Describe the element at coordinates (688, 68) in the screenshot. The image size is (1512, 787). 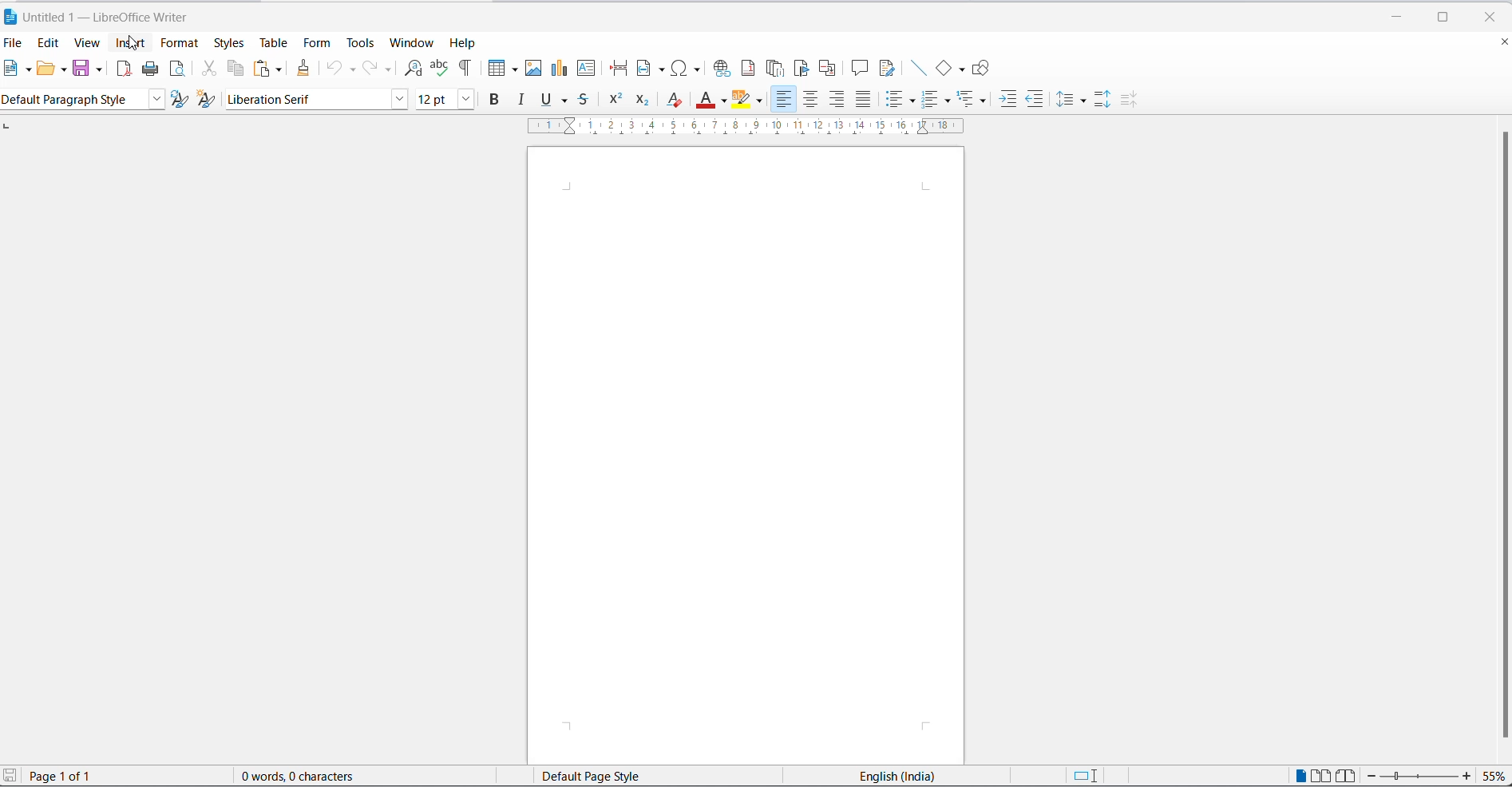
I see `insert special characters` at that location.